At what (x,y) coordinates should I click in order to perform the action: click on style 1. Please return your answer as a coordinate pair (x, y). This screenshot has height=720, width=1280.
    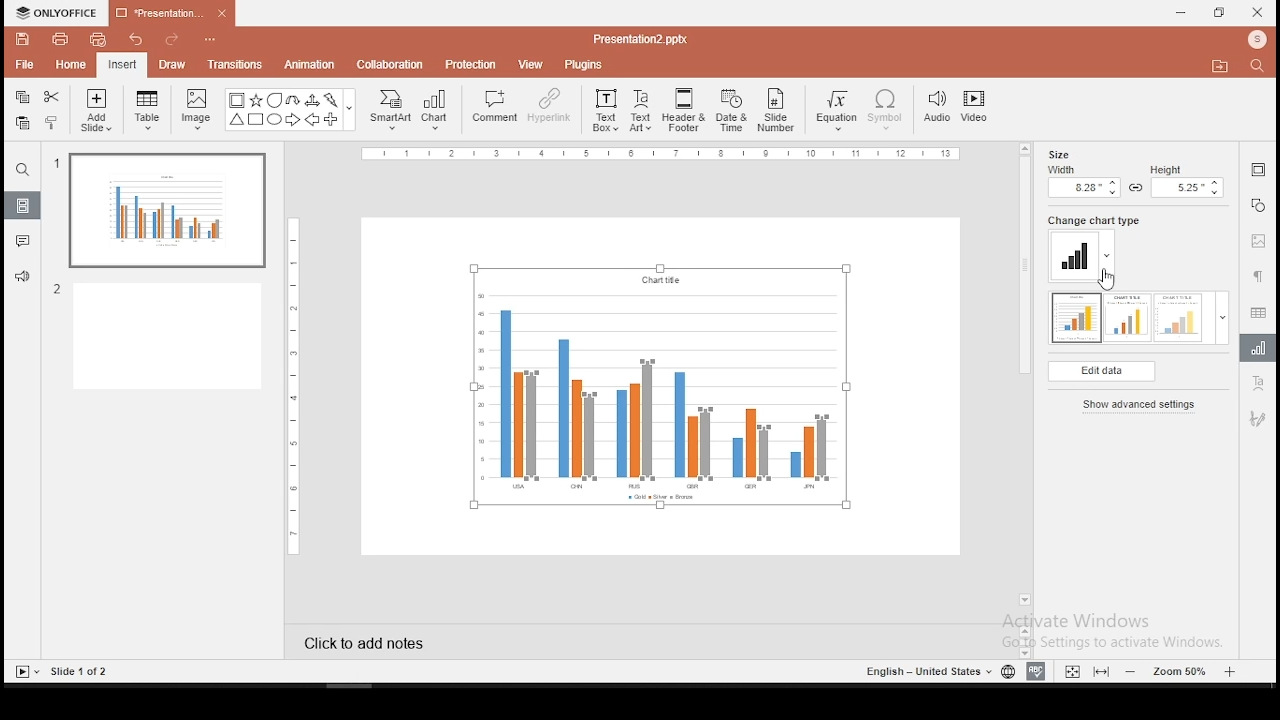
    Looking at the image, I should click on (1076, 318).